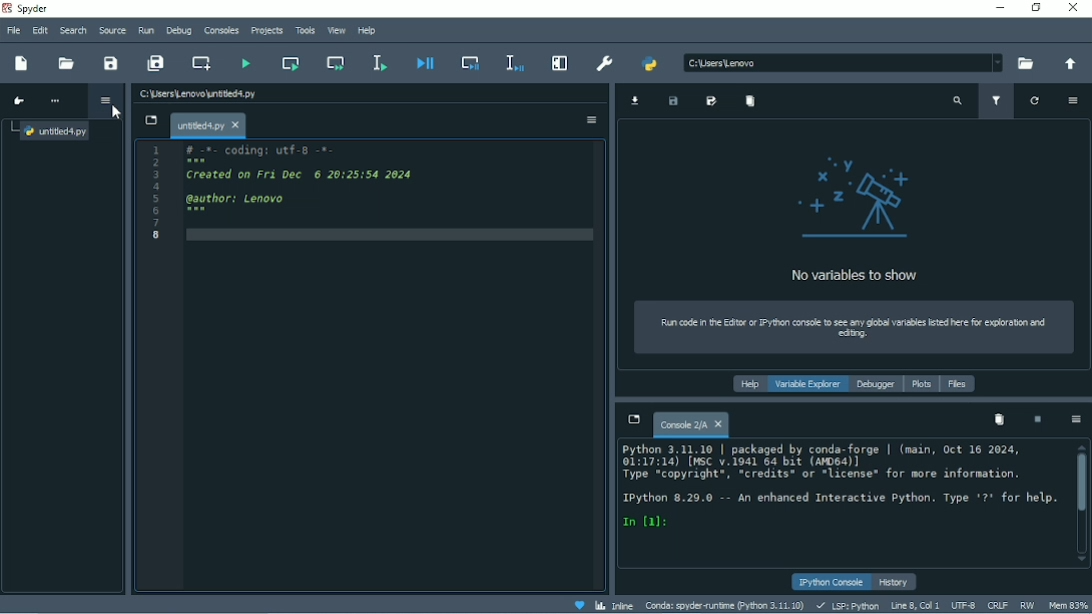 This screenshot has width=1092, height=614. Describe the element at coordinates (998, 419) in the screenshot. I see `Remove all variables from namespace` at that location.